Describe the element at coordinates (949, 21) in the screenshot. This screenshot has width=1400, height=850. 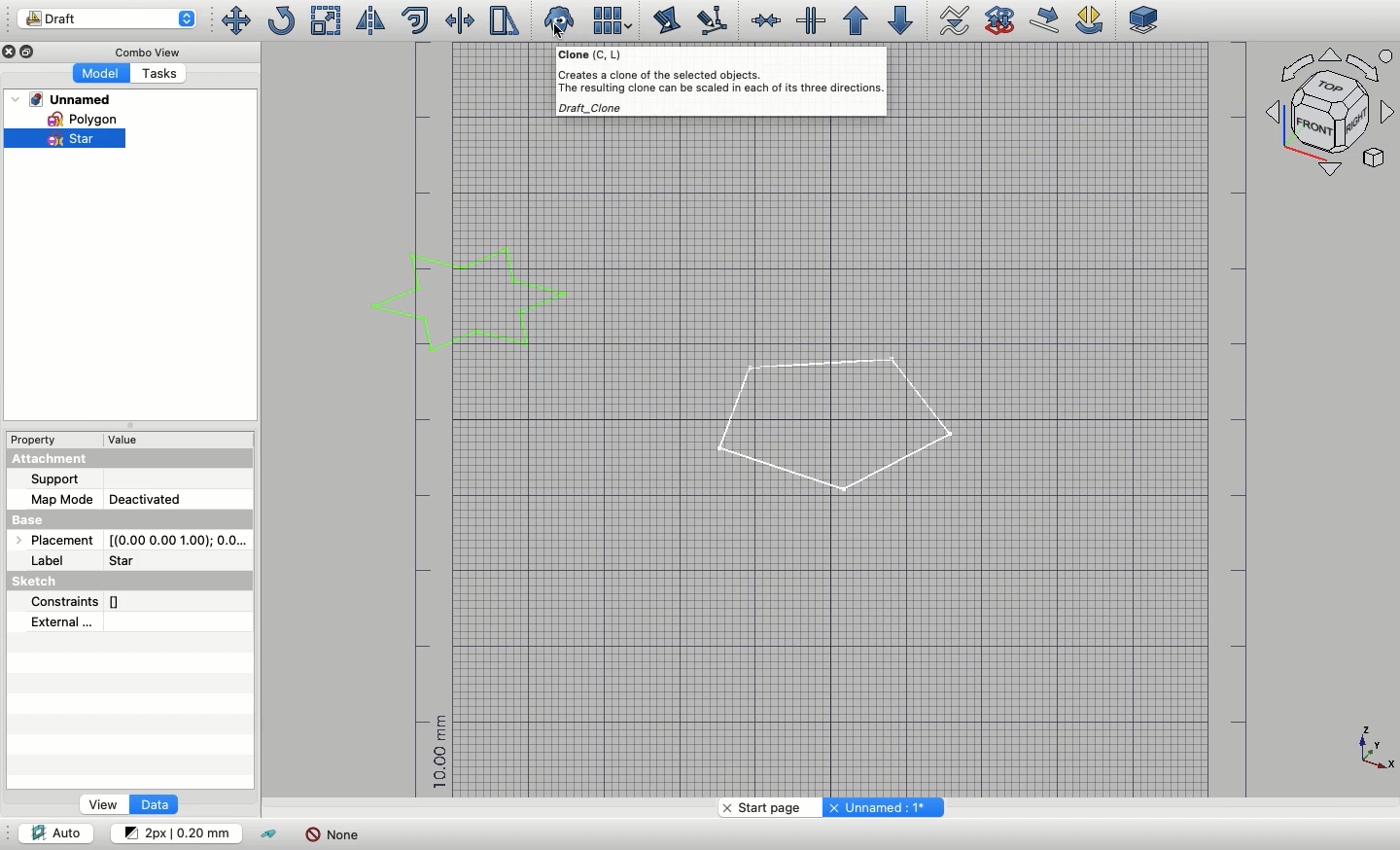
I see `Wire to b-spline` at that location.